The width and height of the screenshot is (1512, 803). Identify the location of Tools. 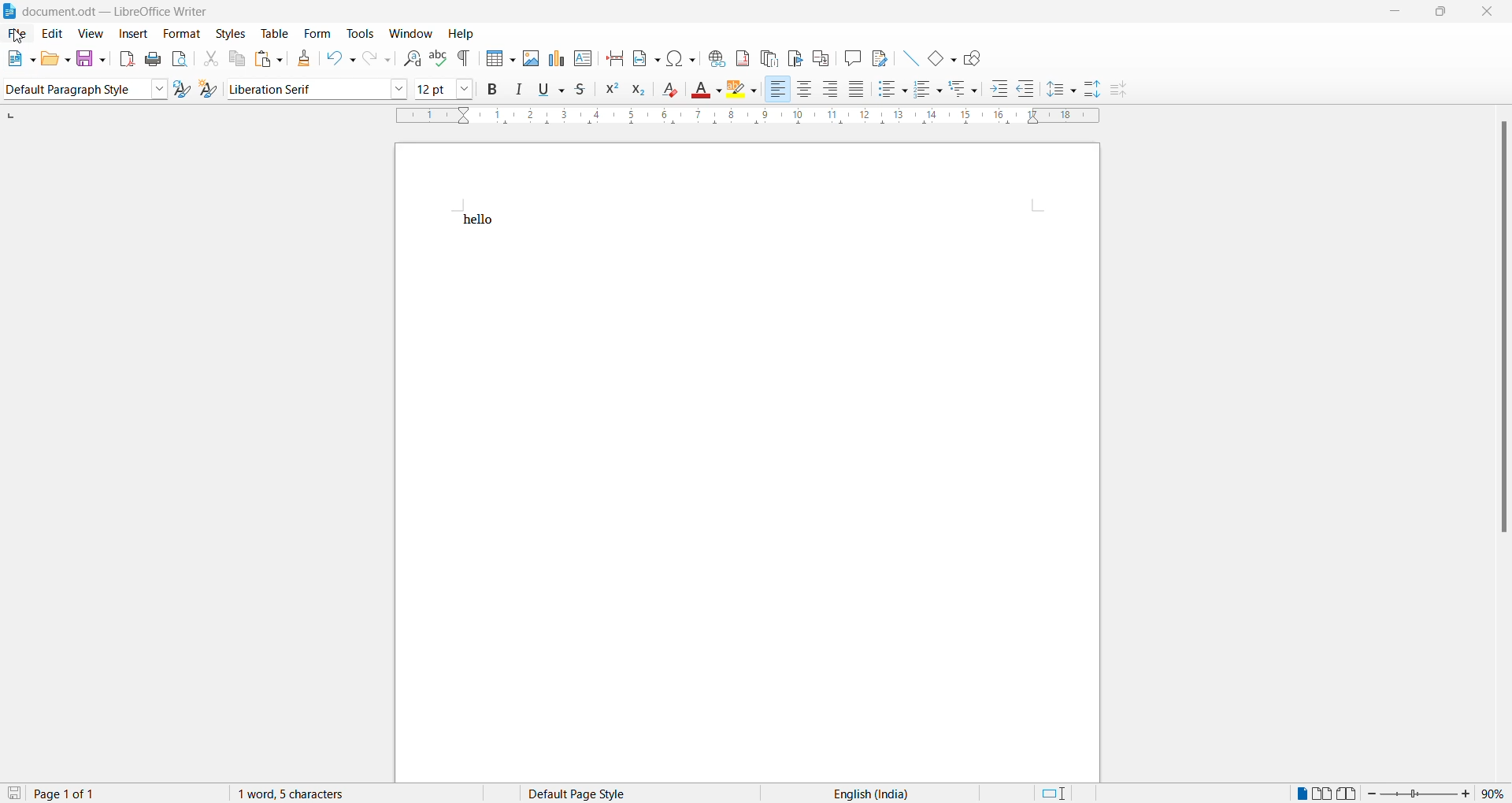
(360, 33).